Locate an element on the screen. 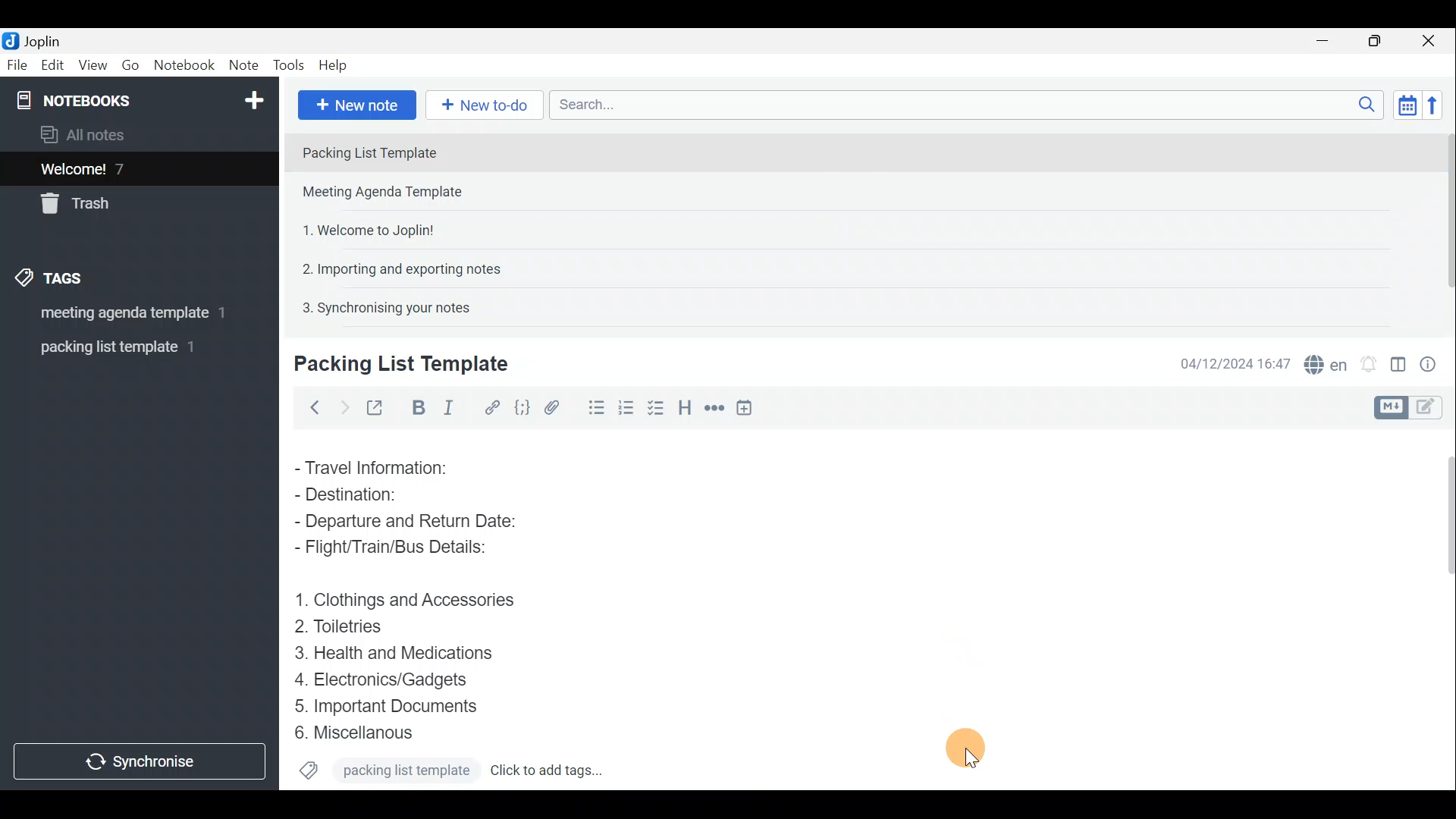  click to add tags is located at coordinates (544, 772).